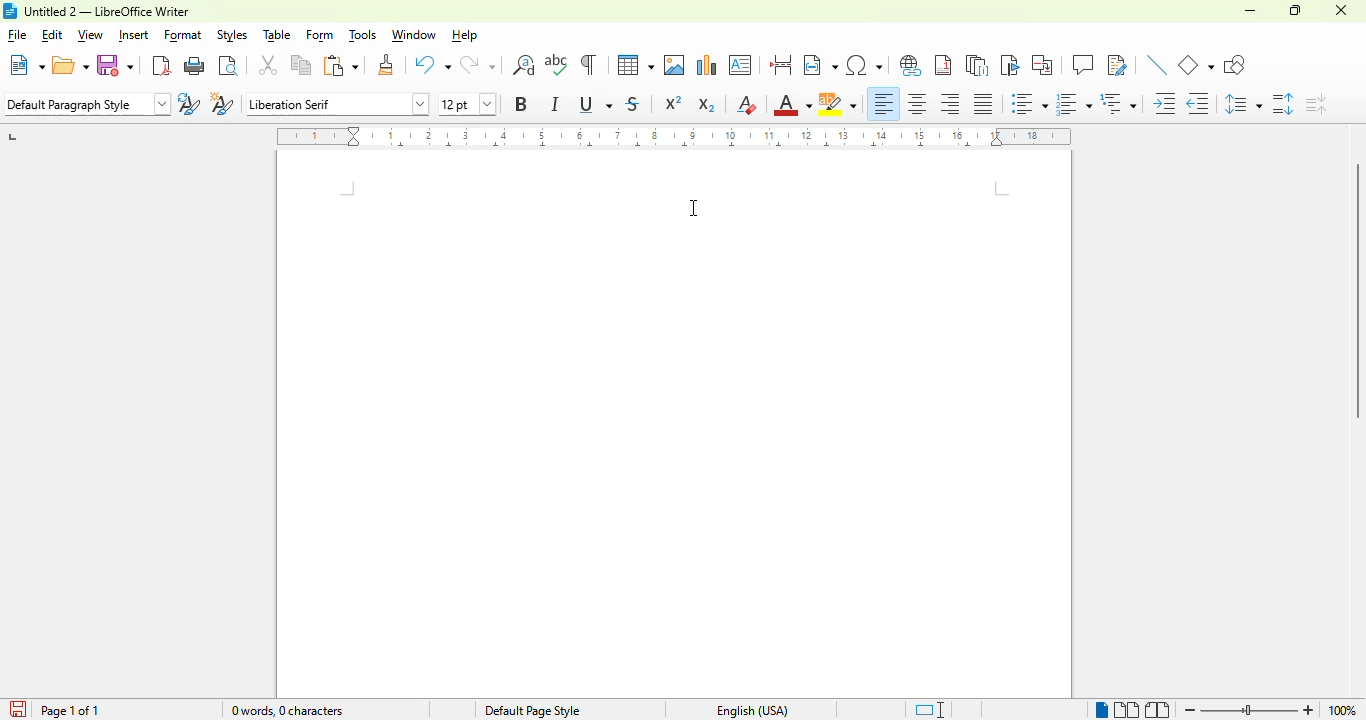  What do you see at coordinates (741, 65) in the screenshot?
I see `insert text box` at bounding box center [741, 65].